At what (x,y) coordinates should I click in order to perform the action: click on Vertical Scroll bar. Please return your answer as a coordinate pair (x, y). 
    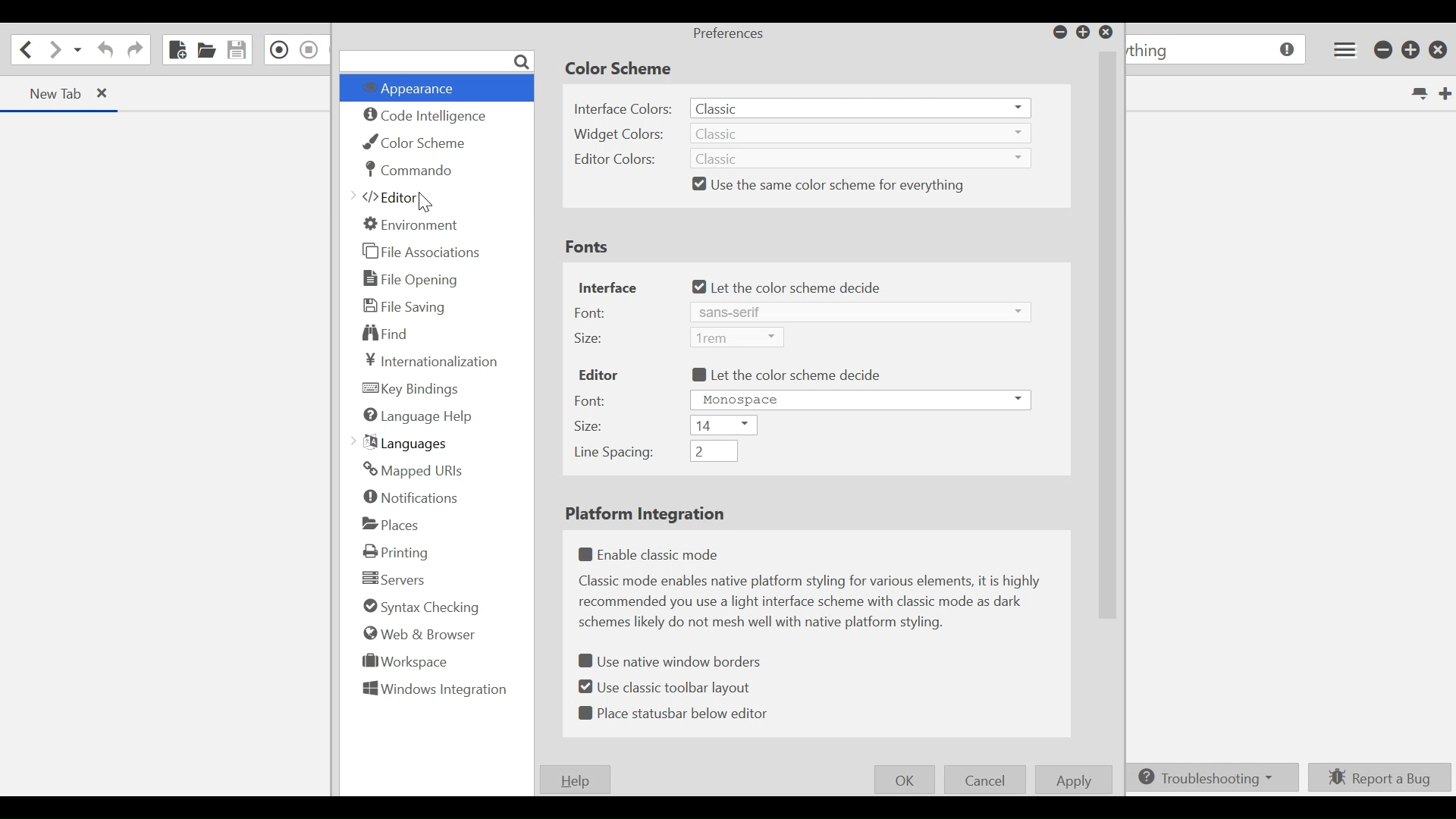
    Looking at the image, I should click on (1104, 333).